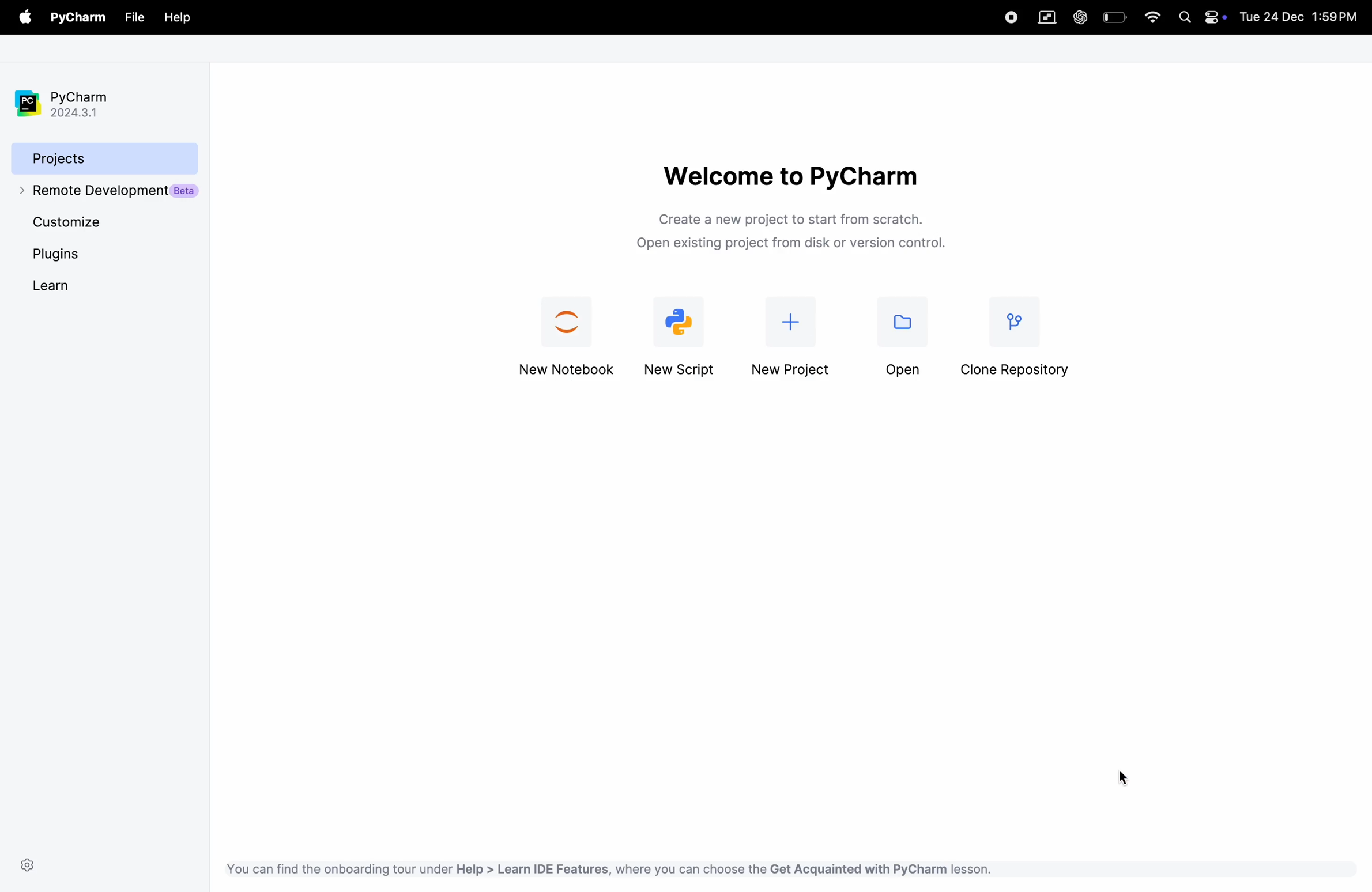 Image resolution: width=1372 pixels, height=892 pixels. What do you see at coordinates (564, 338) in the screenshot?
I see `new notw book` at bounding box center [564, 338].